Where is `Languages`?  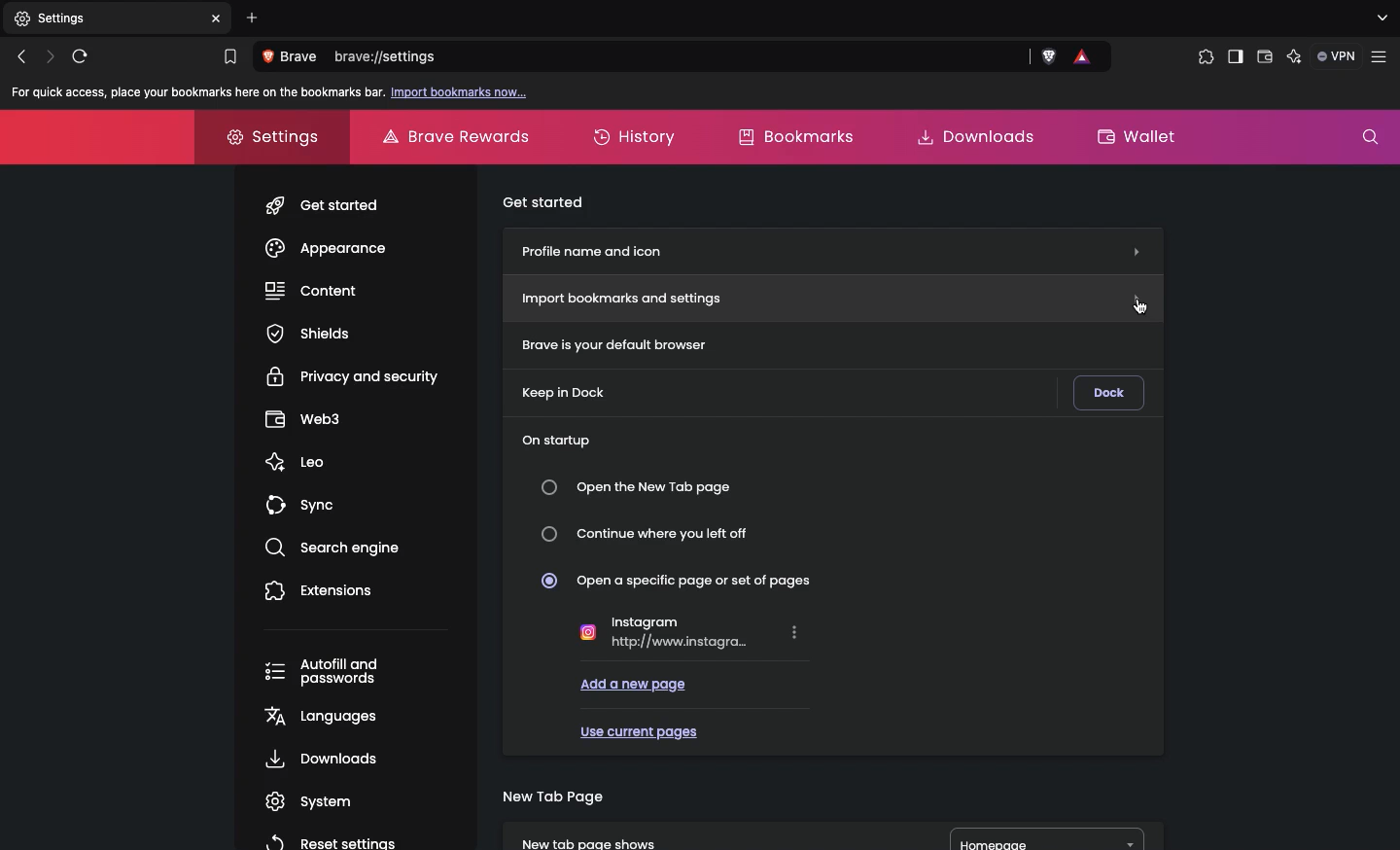 Languages is located at coordinates (318, 715).